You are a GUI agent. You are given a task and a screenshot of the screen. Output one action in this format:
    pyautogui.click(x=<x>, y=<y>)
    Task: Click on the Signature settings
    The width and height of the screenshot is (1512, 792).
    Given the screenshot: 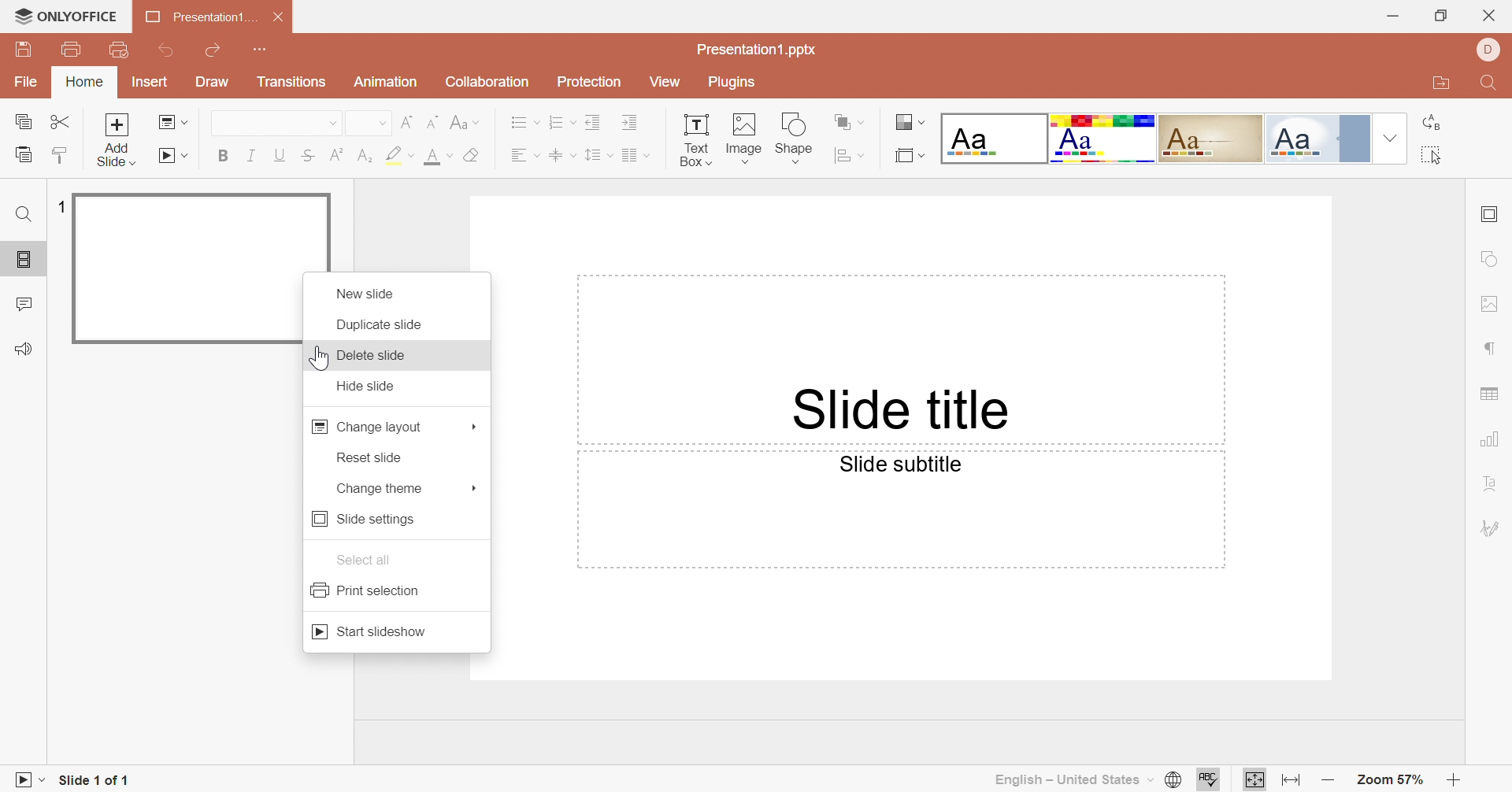 What is the action you would take?
    pyautogui.click(x=1491, y=530)
    